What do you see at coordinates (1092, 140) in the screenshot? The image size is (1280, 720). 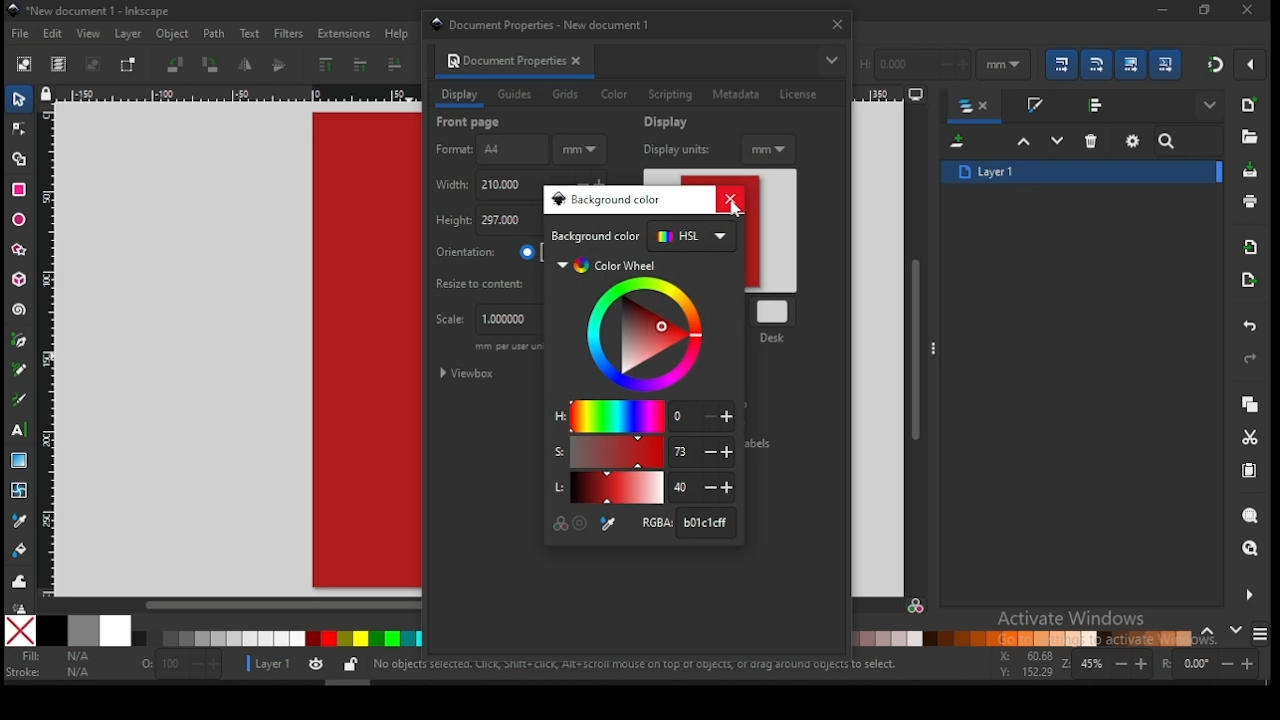 I see `delete layer` at bounding box center [1092, 140].